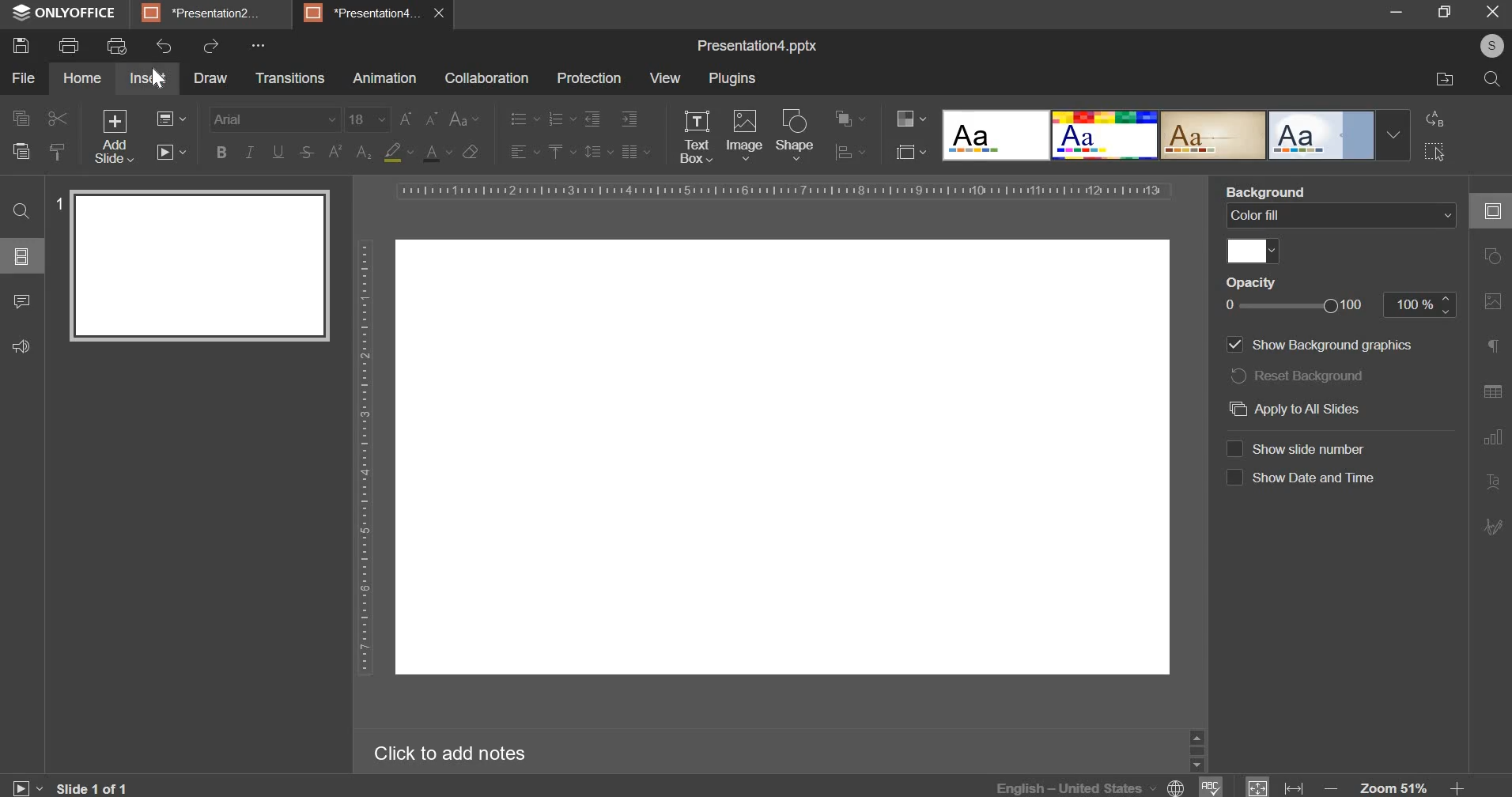  I want to click on font size, so click(366, 119).